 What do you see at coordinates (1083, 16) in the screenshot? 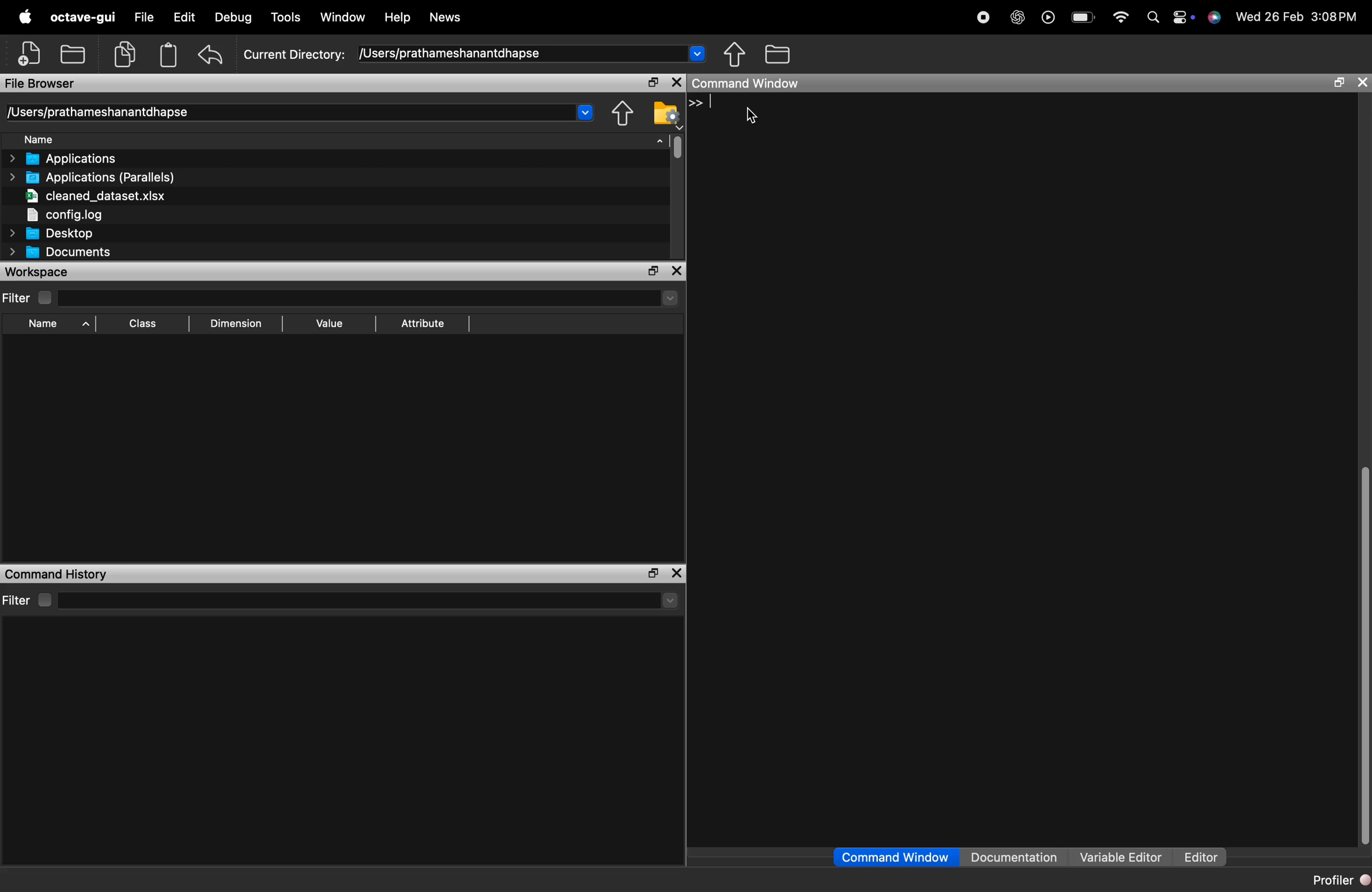
I see `battery` at bounding box center [1083, 16].